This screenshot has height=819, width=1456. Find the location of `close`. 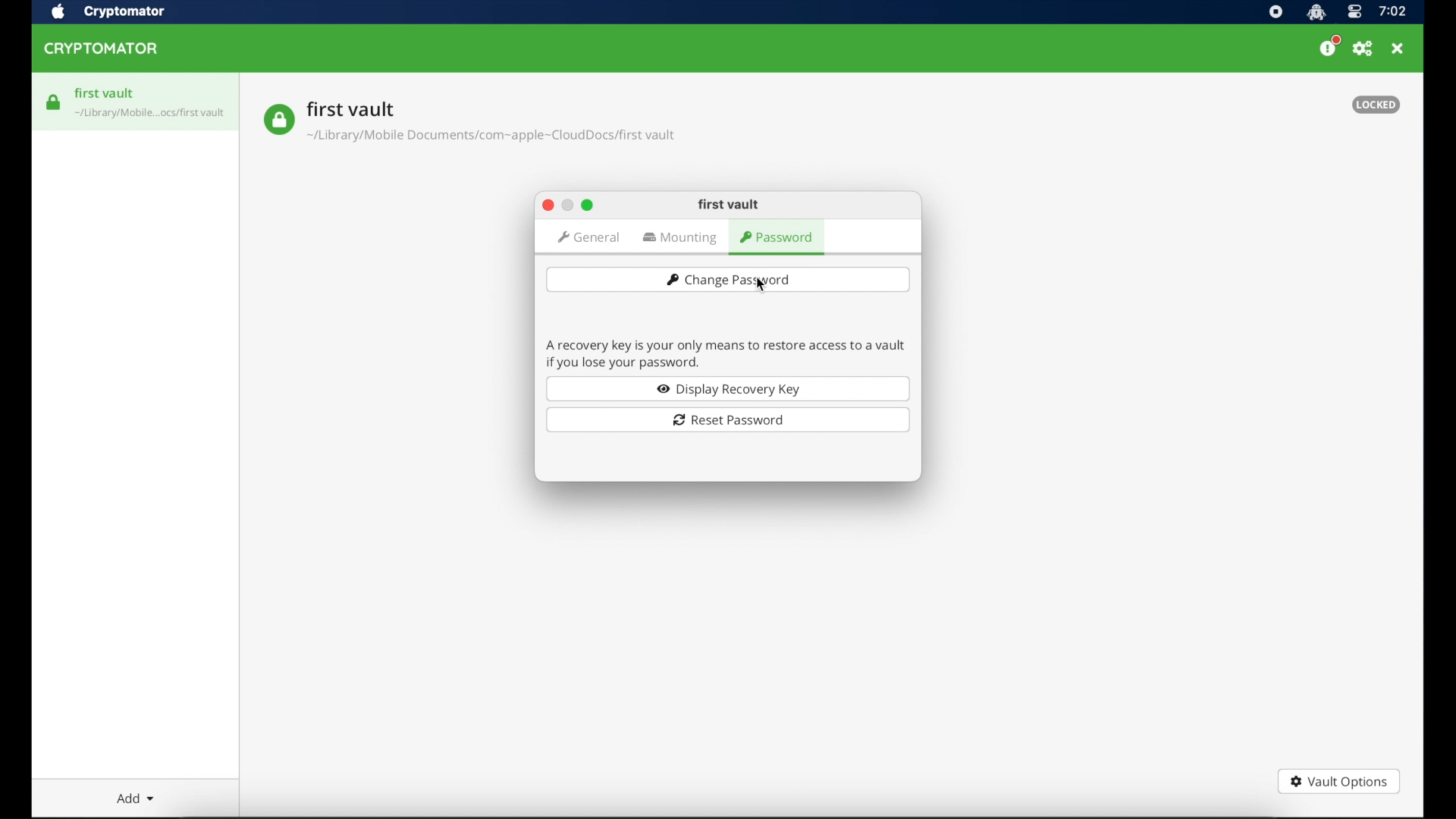

close is located at coordinates (547, 206).